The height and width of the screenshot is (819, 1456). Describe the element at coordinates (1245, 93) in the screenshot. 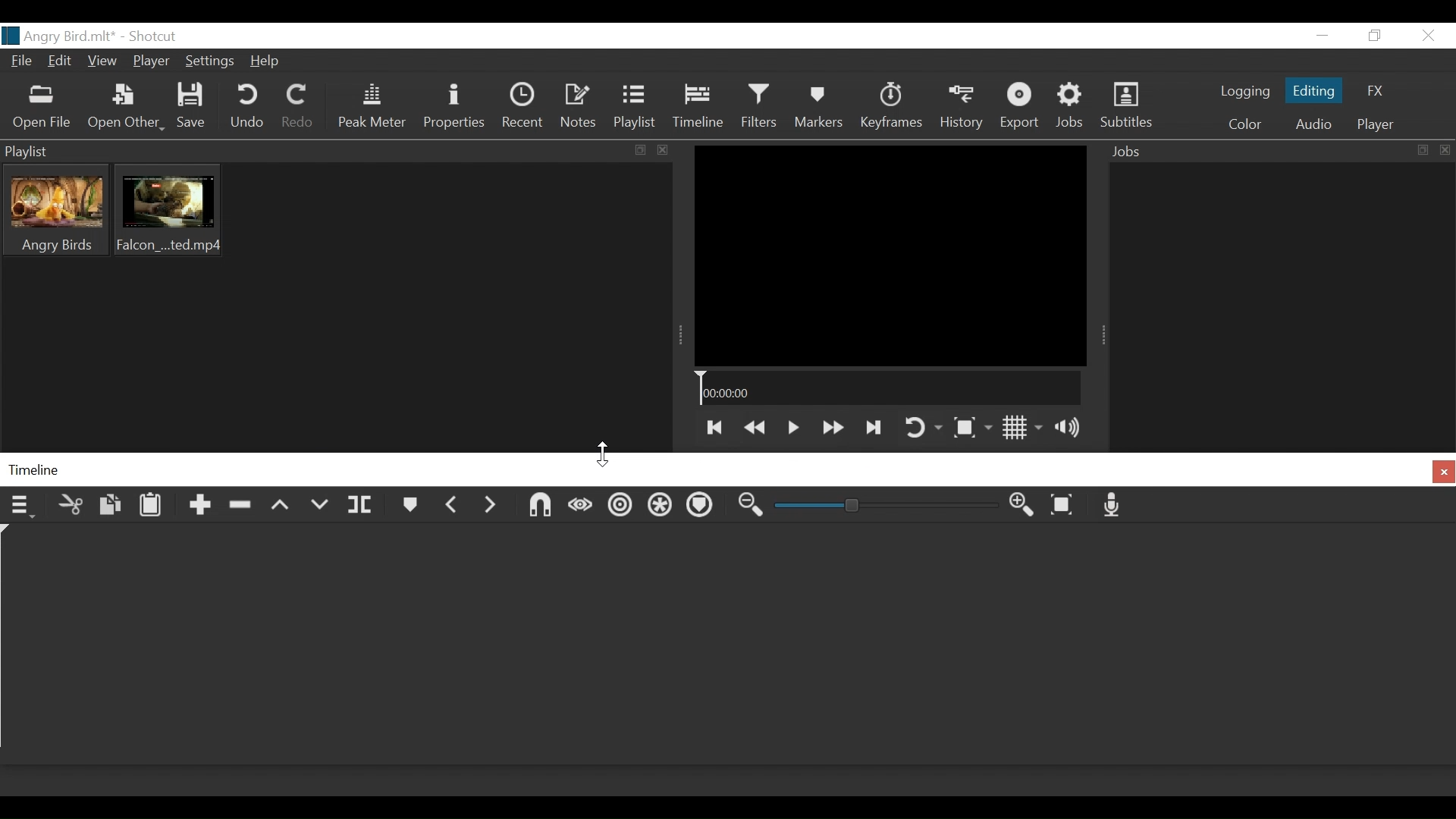

I see `logging` at that location.